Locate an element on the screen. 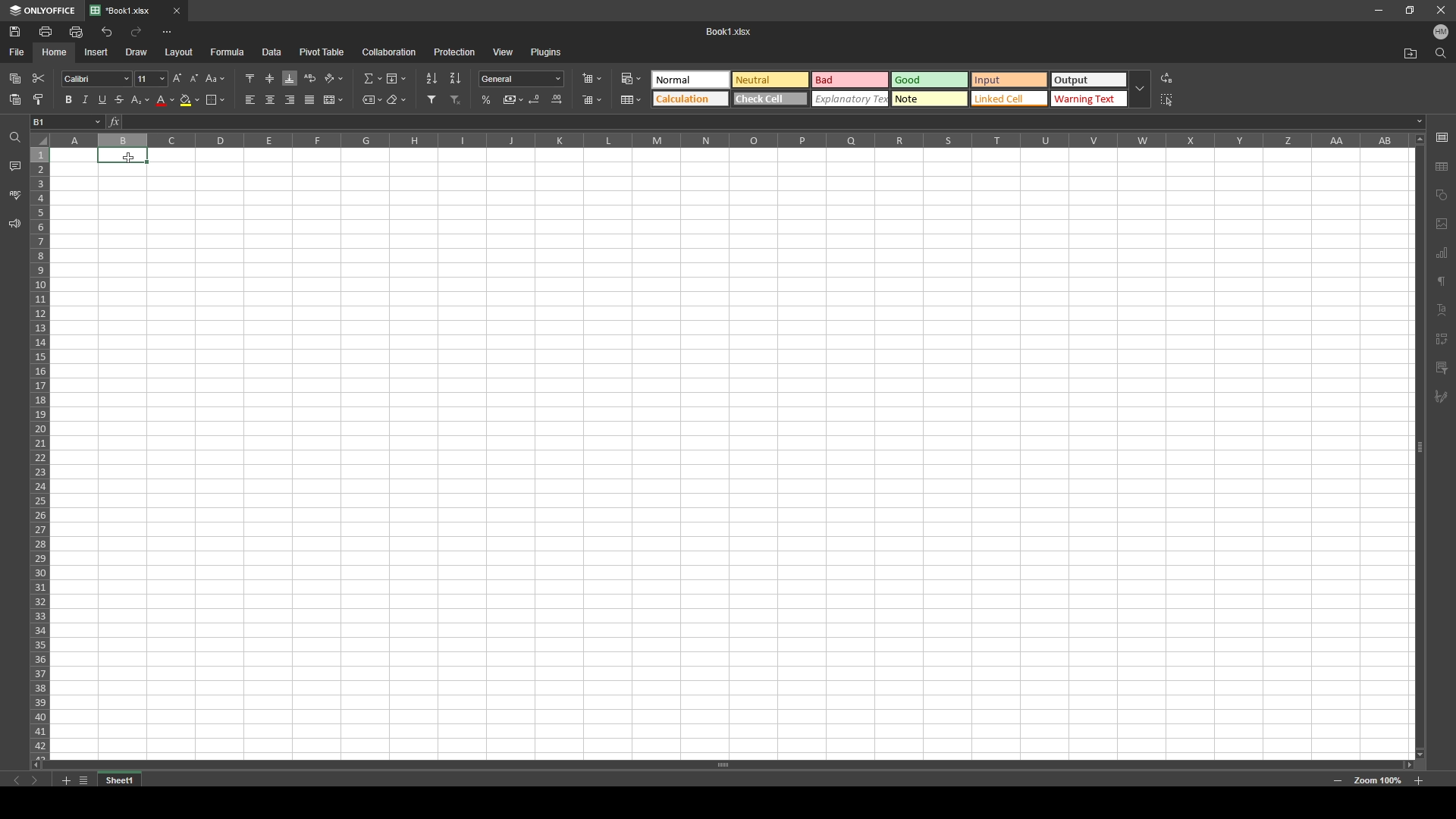 The height and width of the screenshot is (819, 1456). scroll bar is located at coordinates (729, 765).